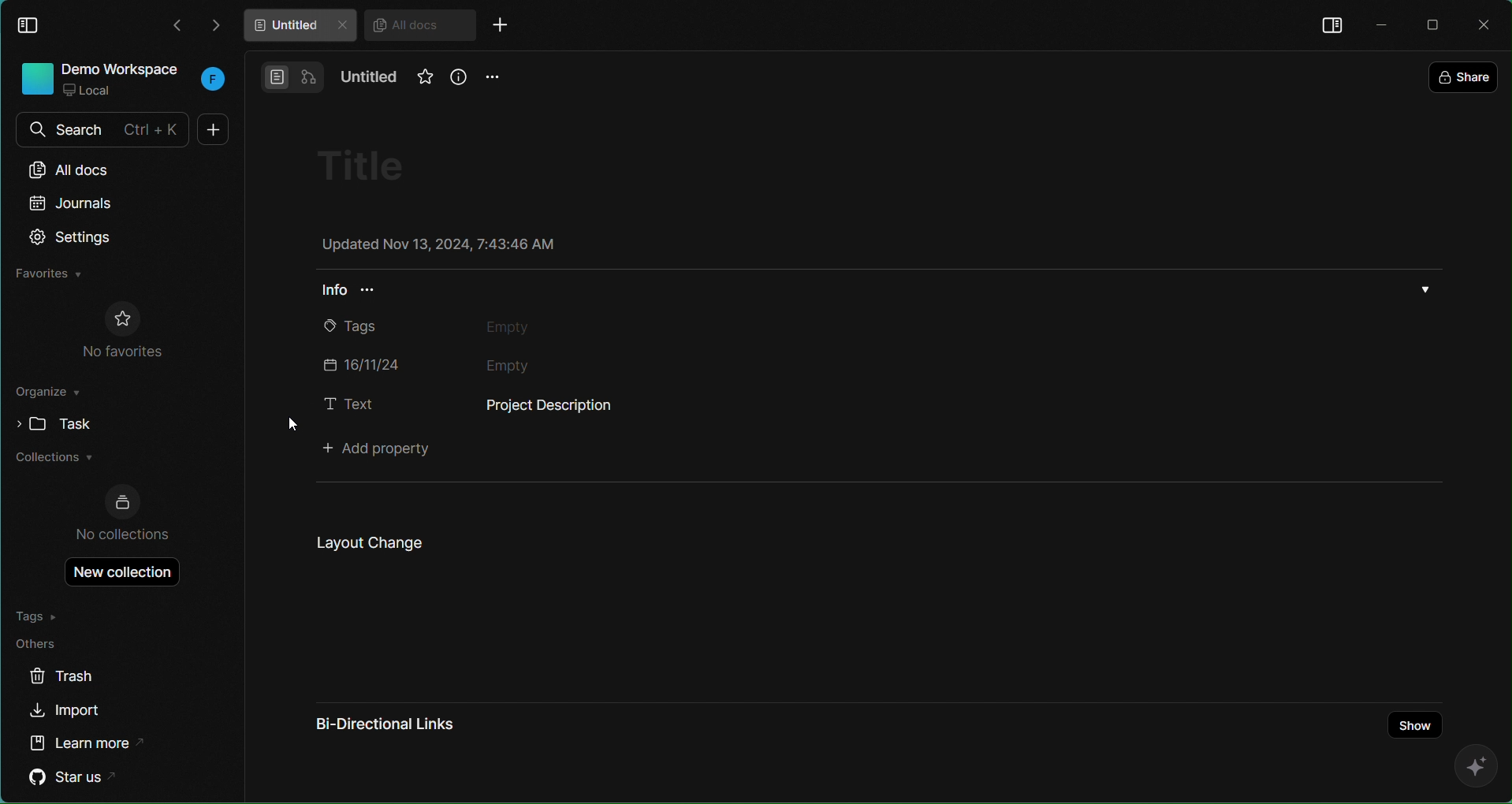 This screenshot has height=804, width=1512. What do you see at coordinates (1331, 24) in the screenshot?
I see `display` at bounding box center [1331, 24].